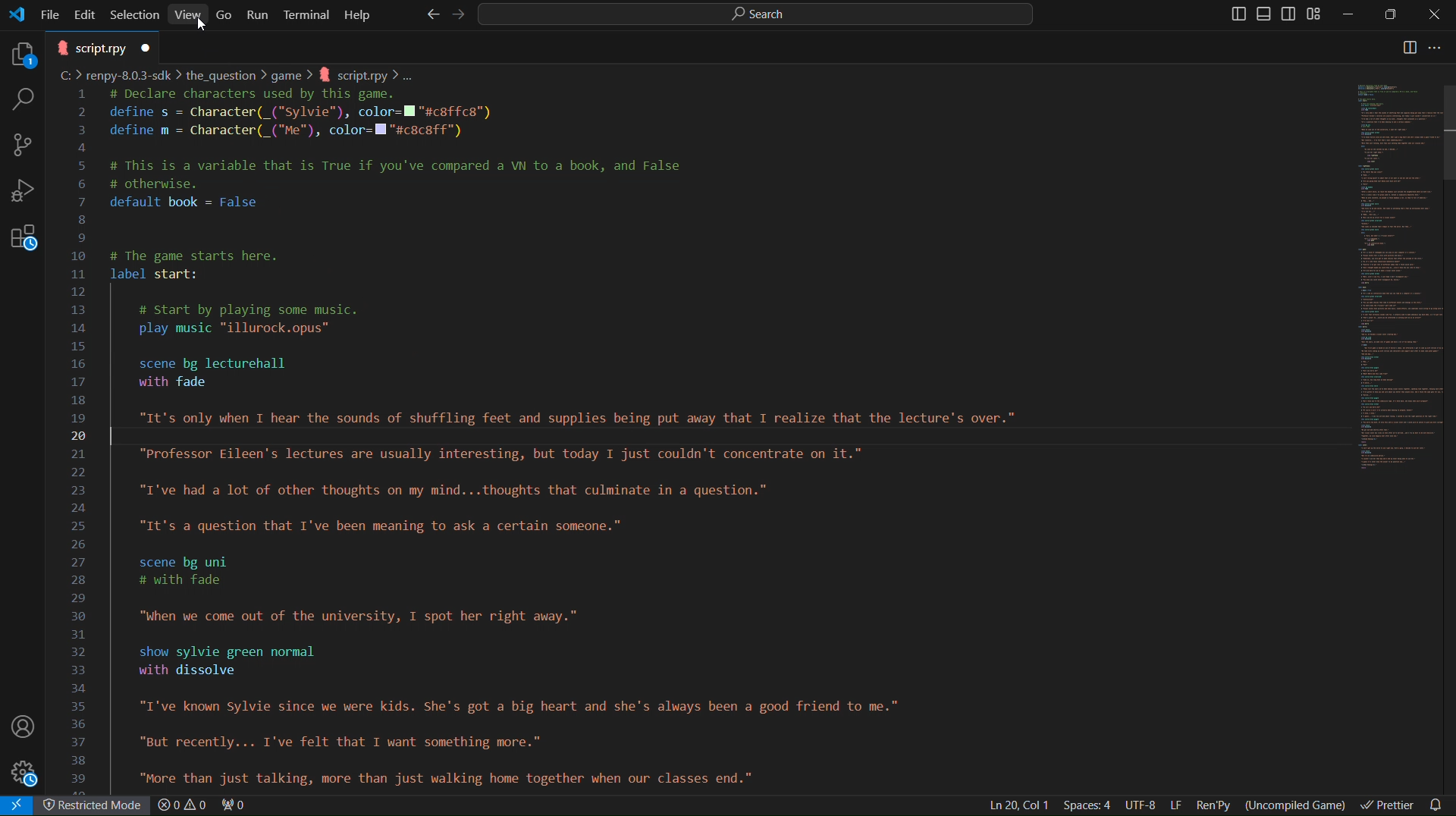 Image resolution: width=1456 pixels, height=816 pixels. Describe the element at coordinates (52, 13) in the screenshot. I see `File` at that location.